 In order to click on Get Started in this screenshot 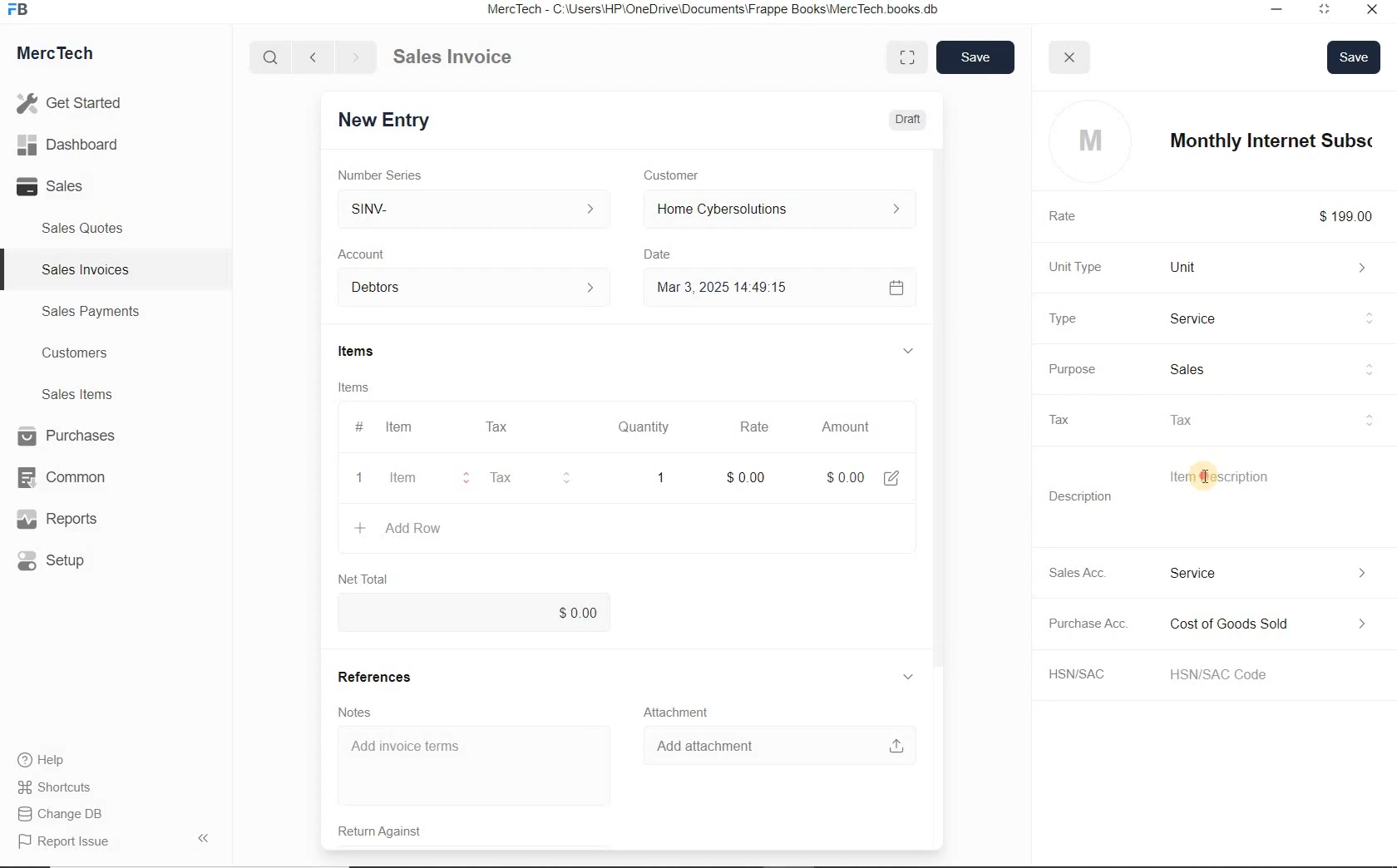, I will do `click(75, 103)`.